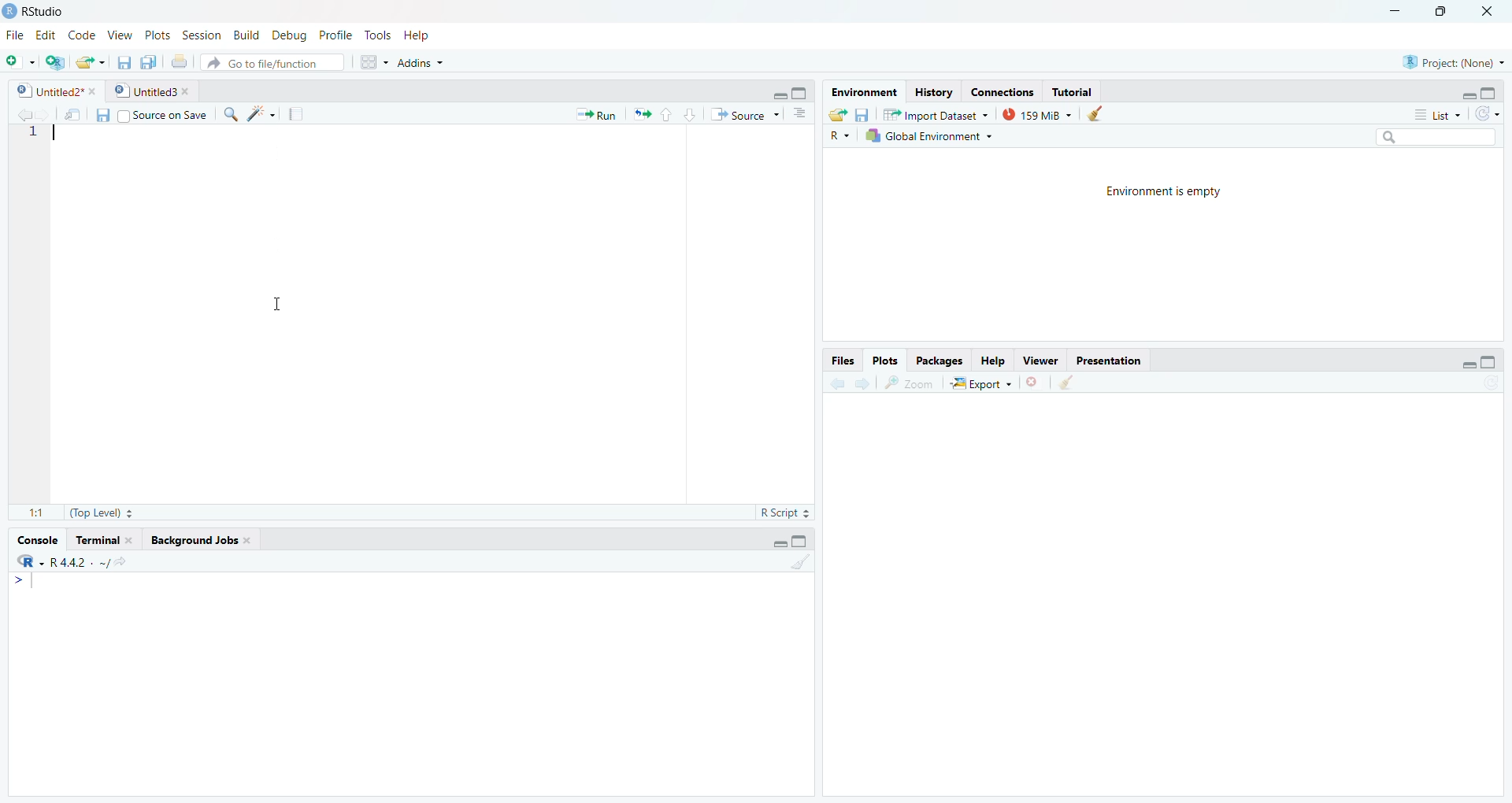  What do you see at coordinates (1106, 361) in the screenshot?
I see `Presentation` at bounding box center [1106, 361].